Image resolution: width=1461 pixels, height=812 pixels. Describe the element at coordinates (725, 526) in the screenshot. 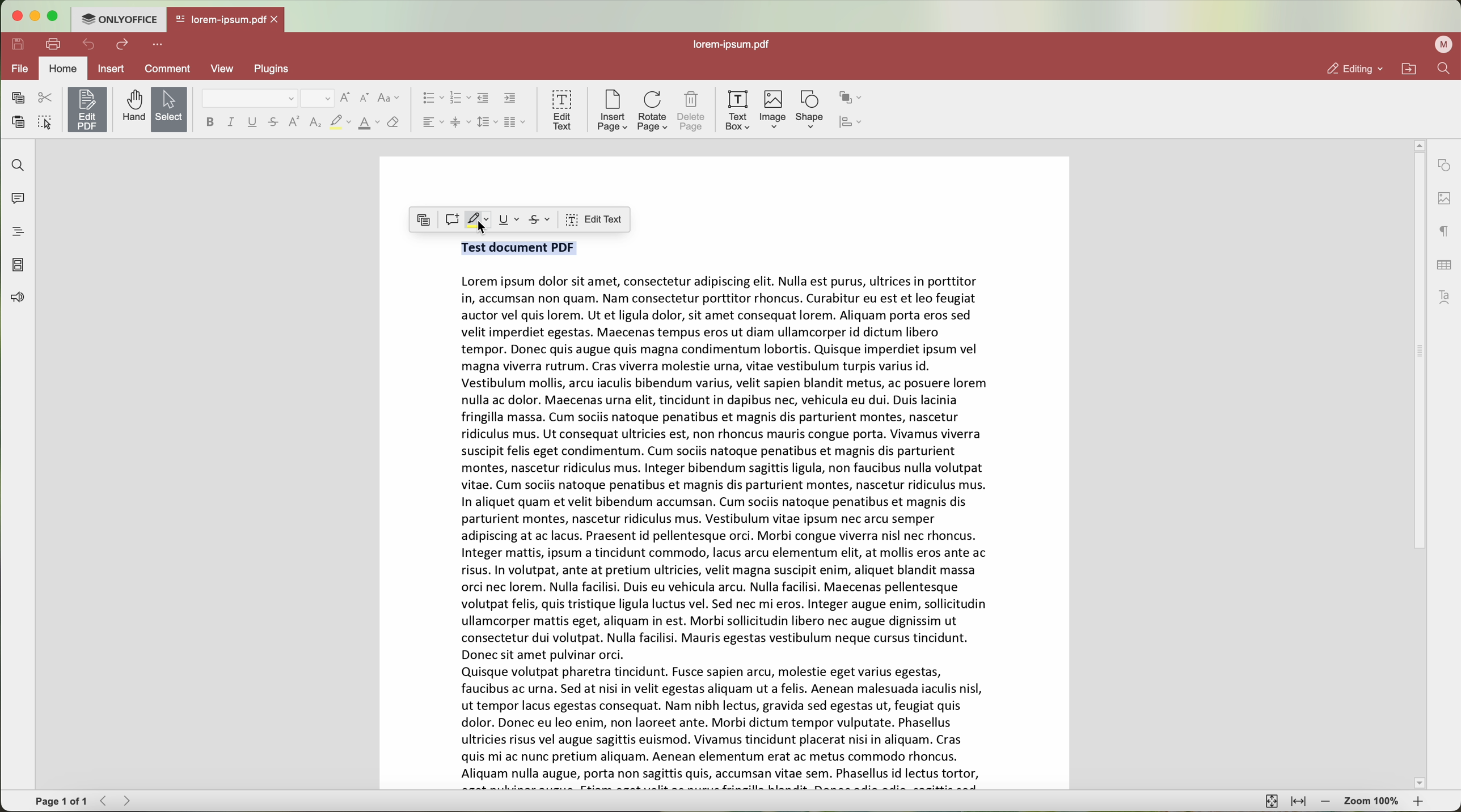

I see `Document` at that location.